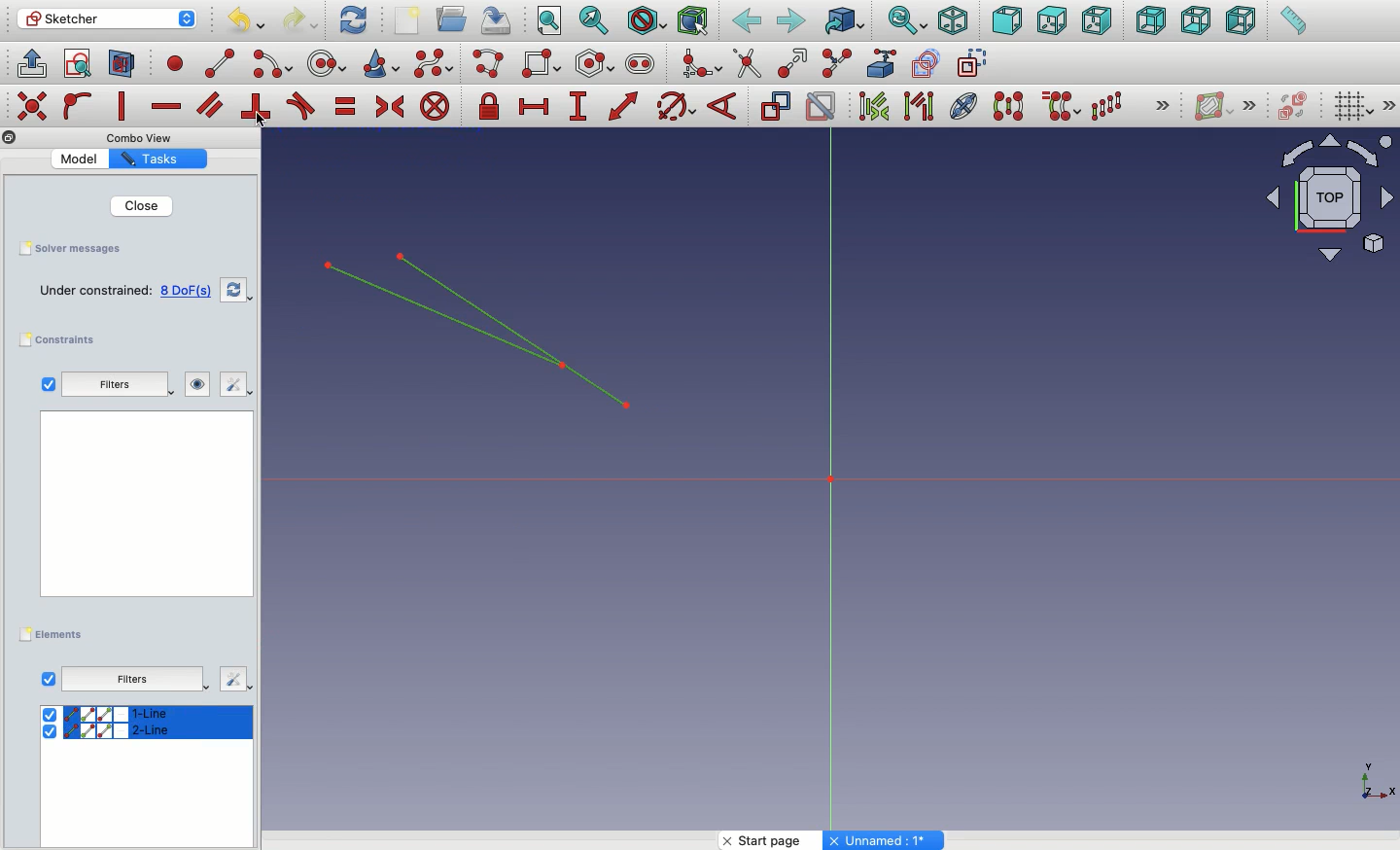 The image size is (1400, 850). I want to click on Constrain angle, so click(724, 106).